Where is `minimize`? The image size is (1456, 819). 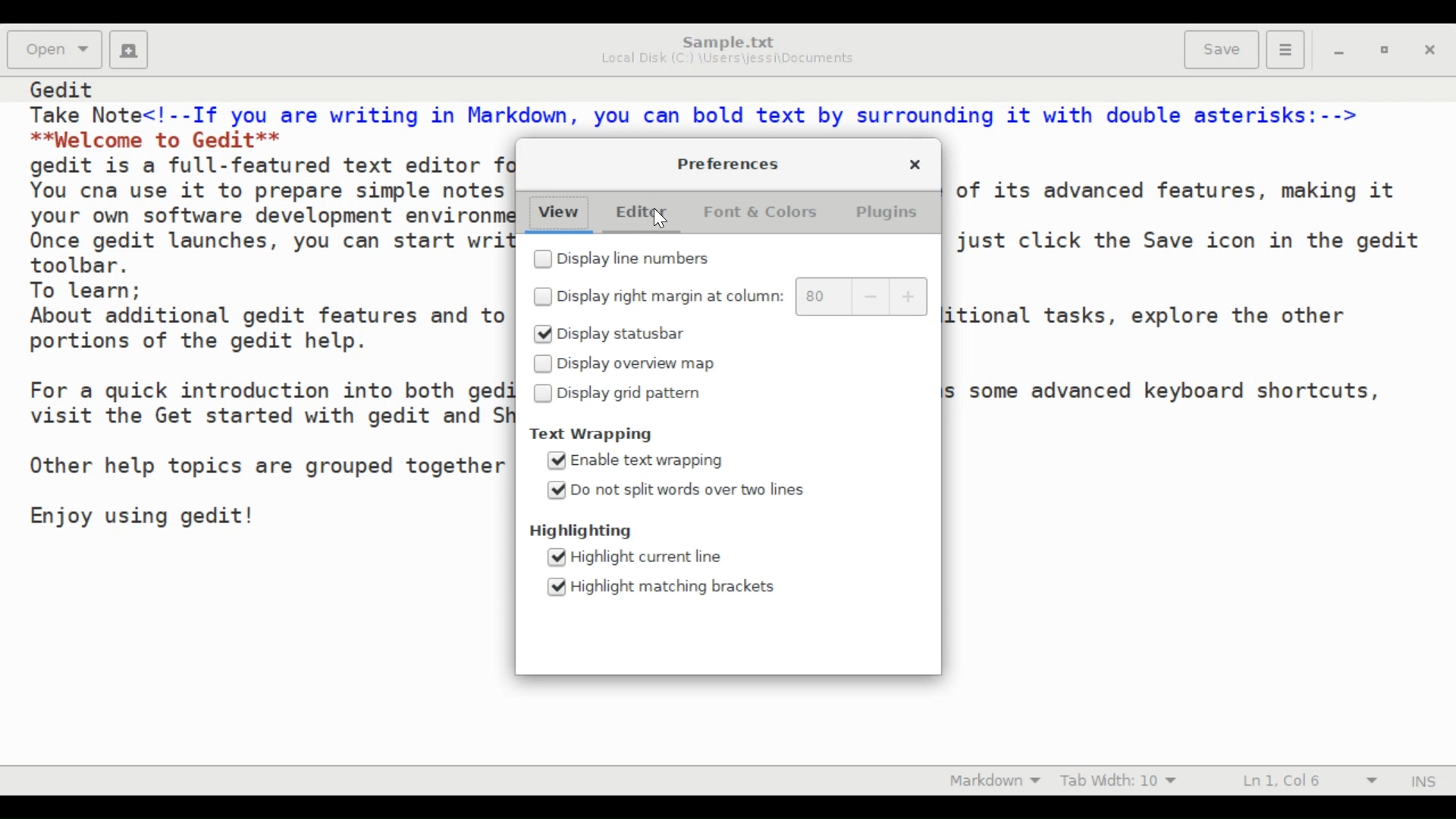
minimize is located at coordinates (1341, 54).